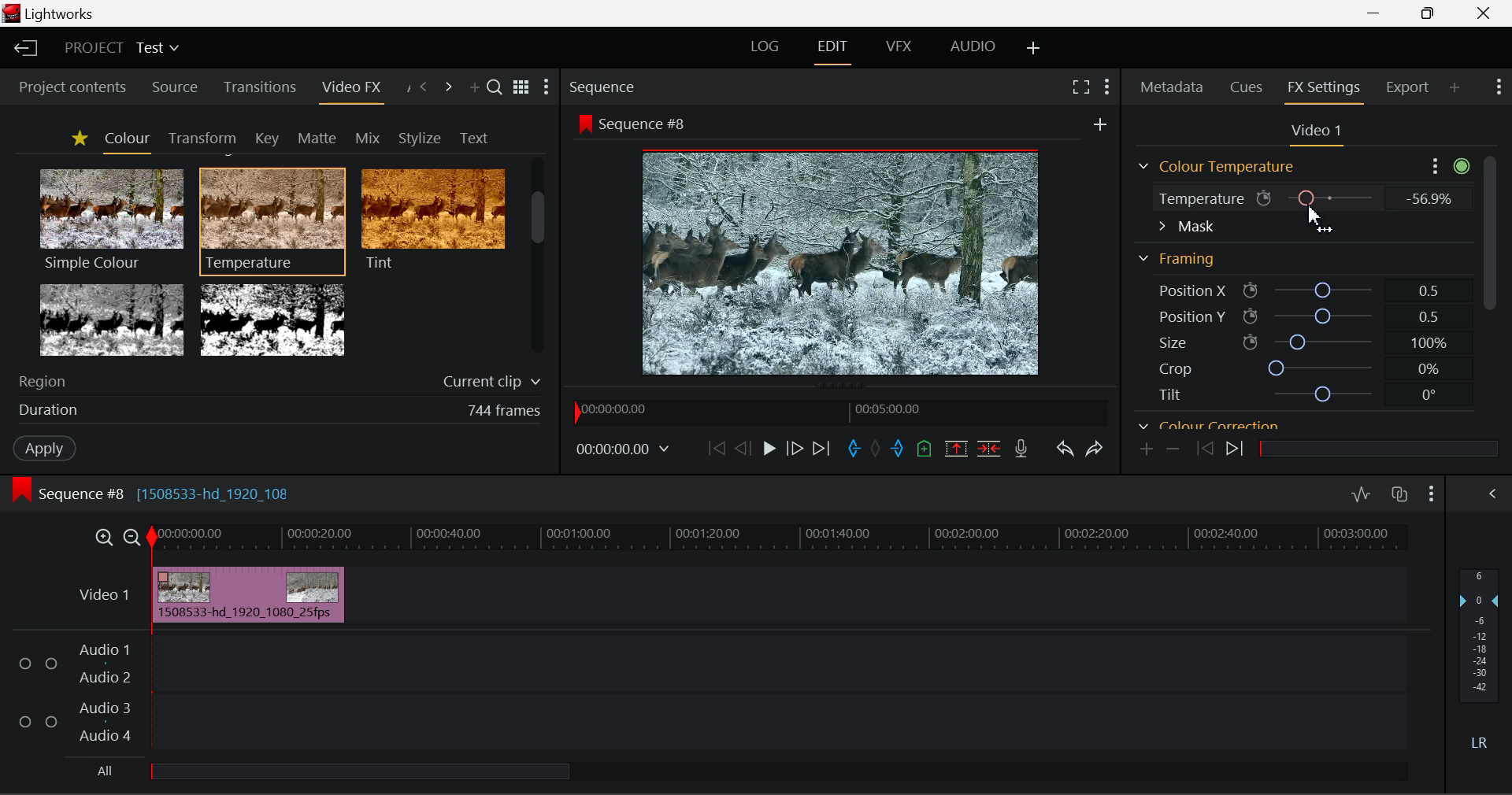  Describe the element at coordinates (539, 259) in the screenshot. I see `Scroll Bar` at that location.